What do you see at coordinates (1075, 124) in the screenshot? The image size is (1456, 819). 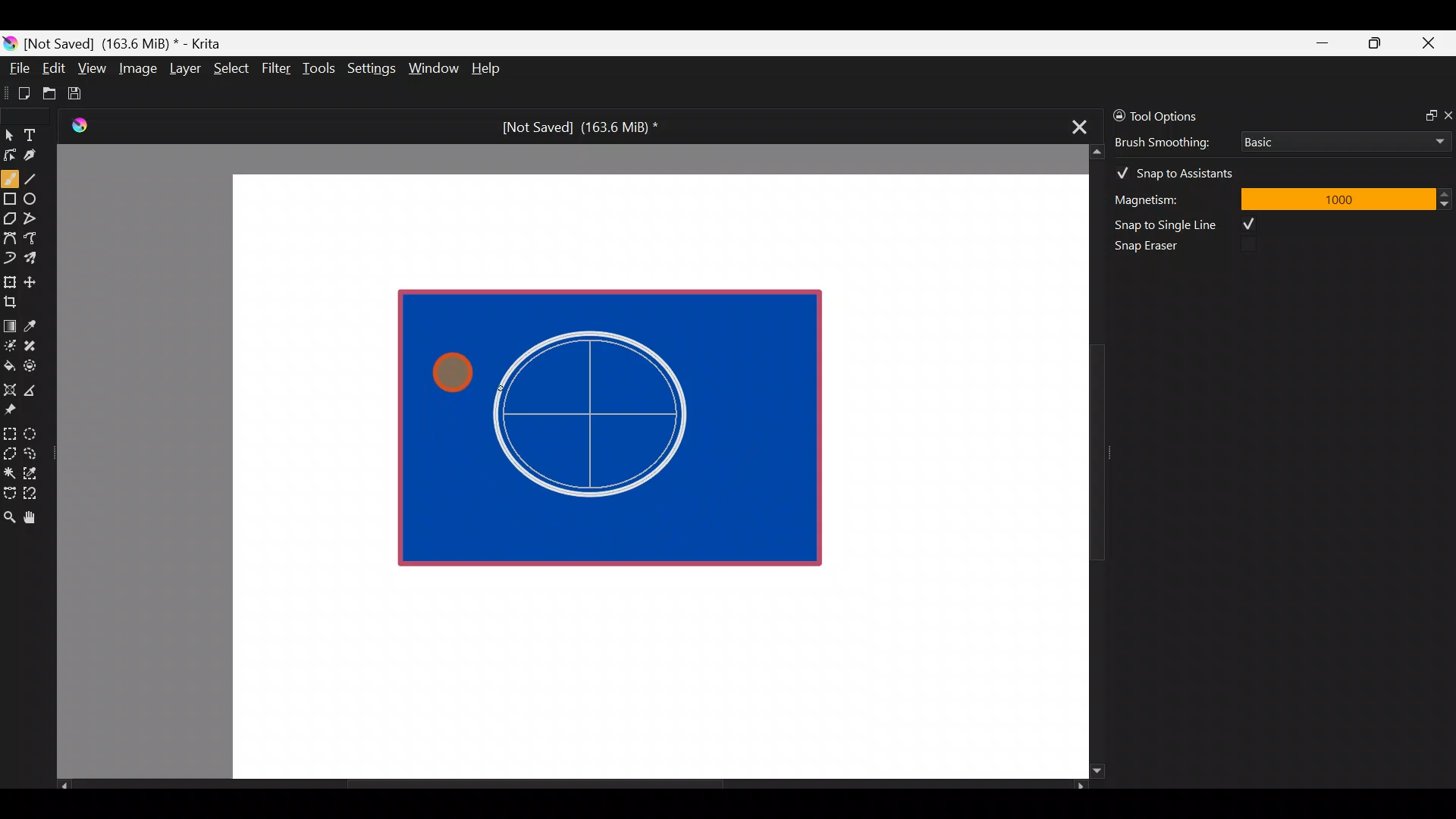 I see `Close tab` at bounding box center [1075, 124].